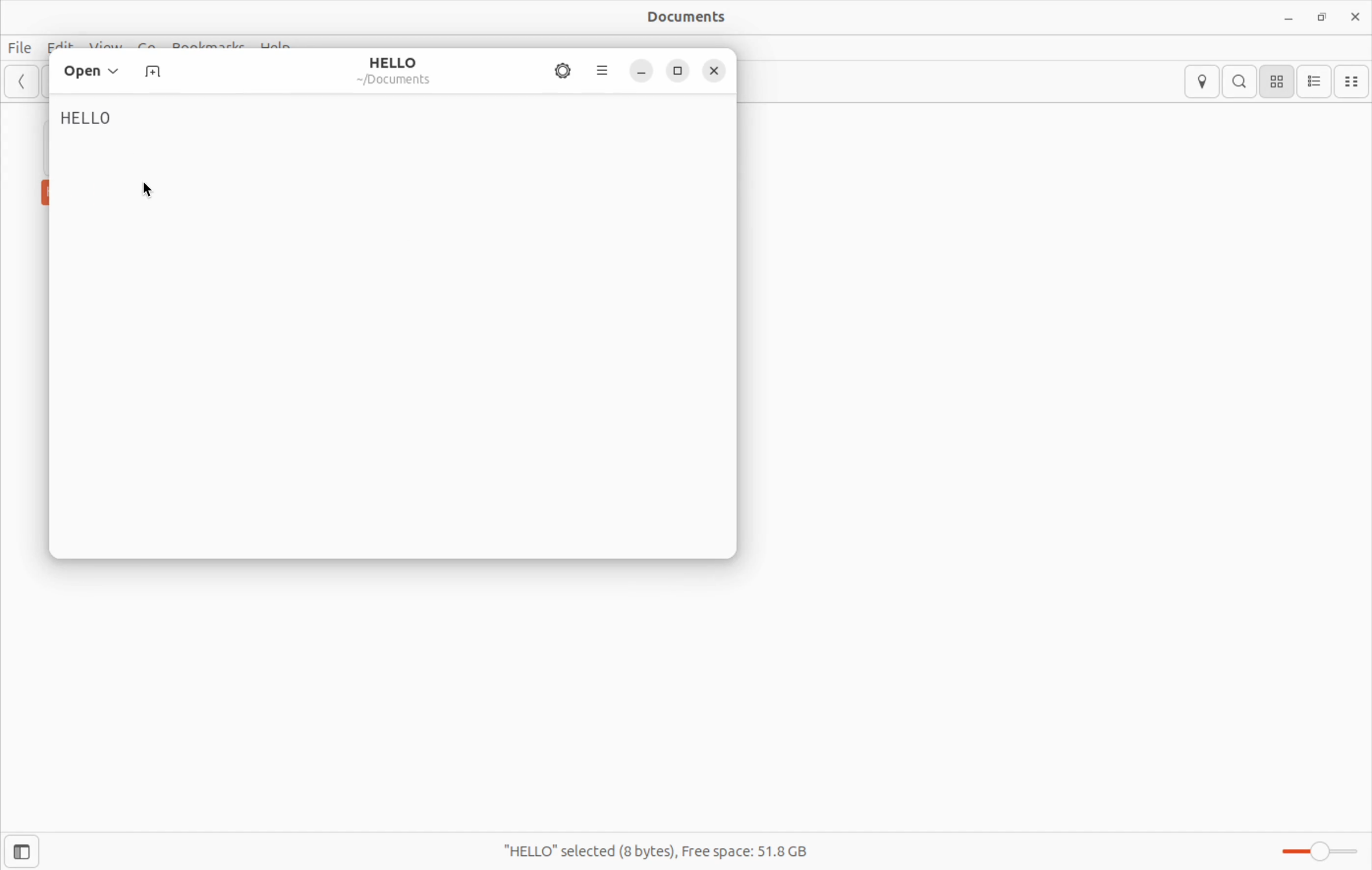 Image resolution: width=1372 pixels, height=870 pixels. What do you see at coordinates (565, 69) in the screenshot?
I see `settings` at bounding box center [565, 69].